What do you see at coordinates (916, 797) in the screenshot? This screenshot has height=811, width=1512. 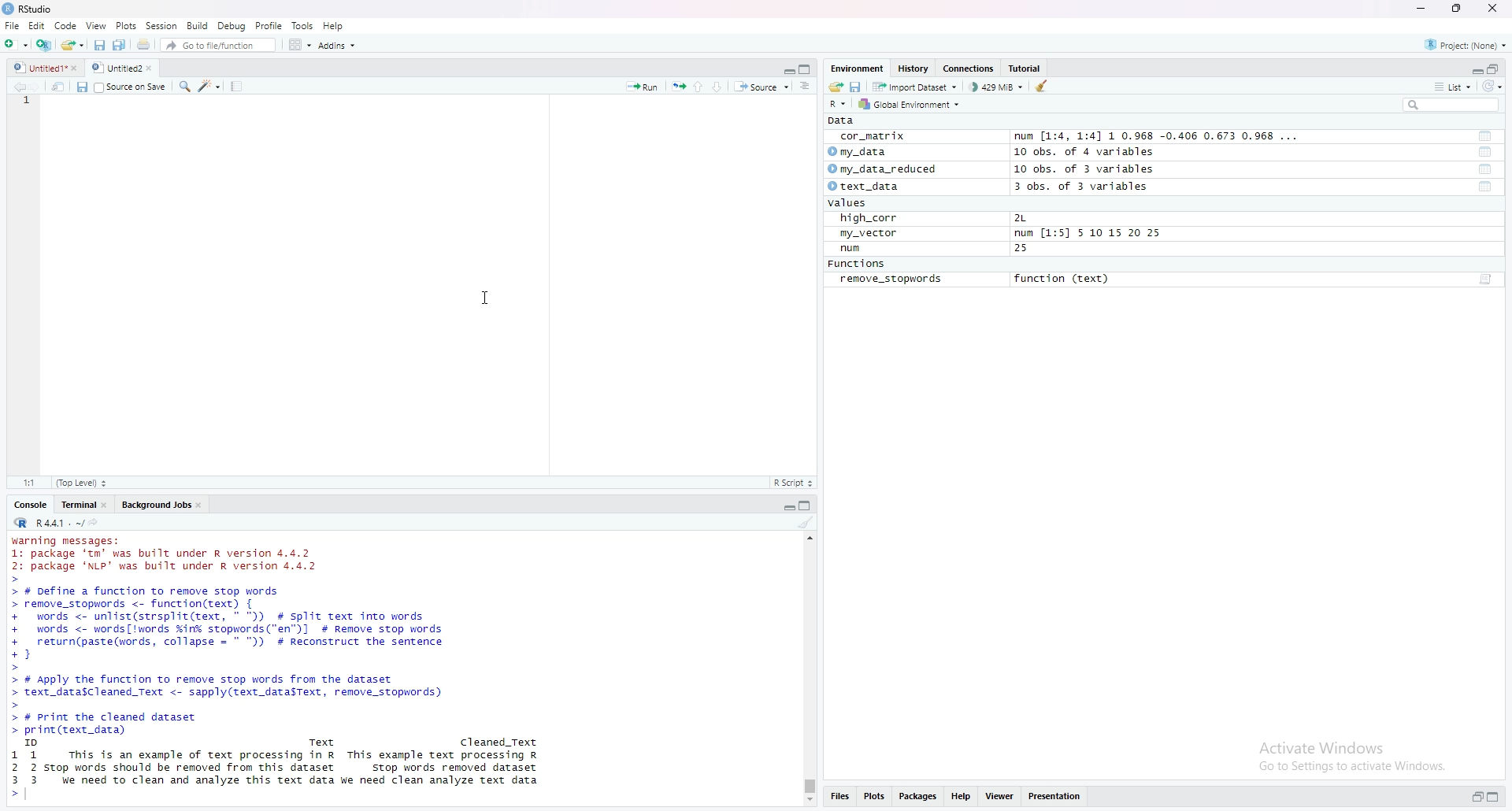 I see `Packages` at bounding box center [916, 797].